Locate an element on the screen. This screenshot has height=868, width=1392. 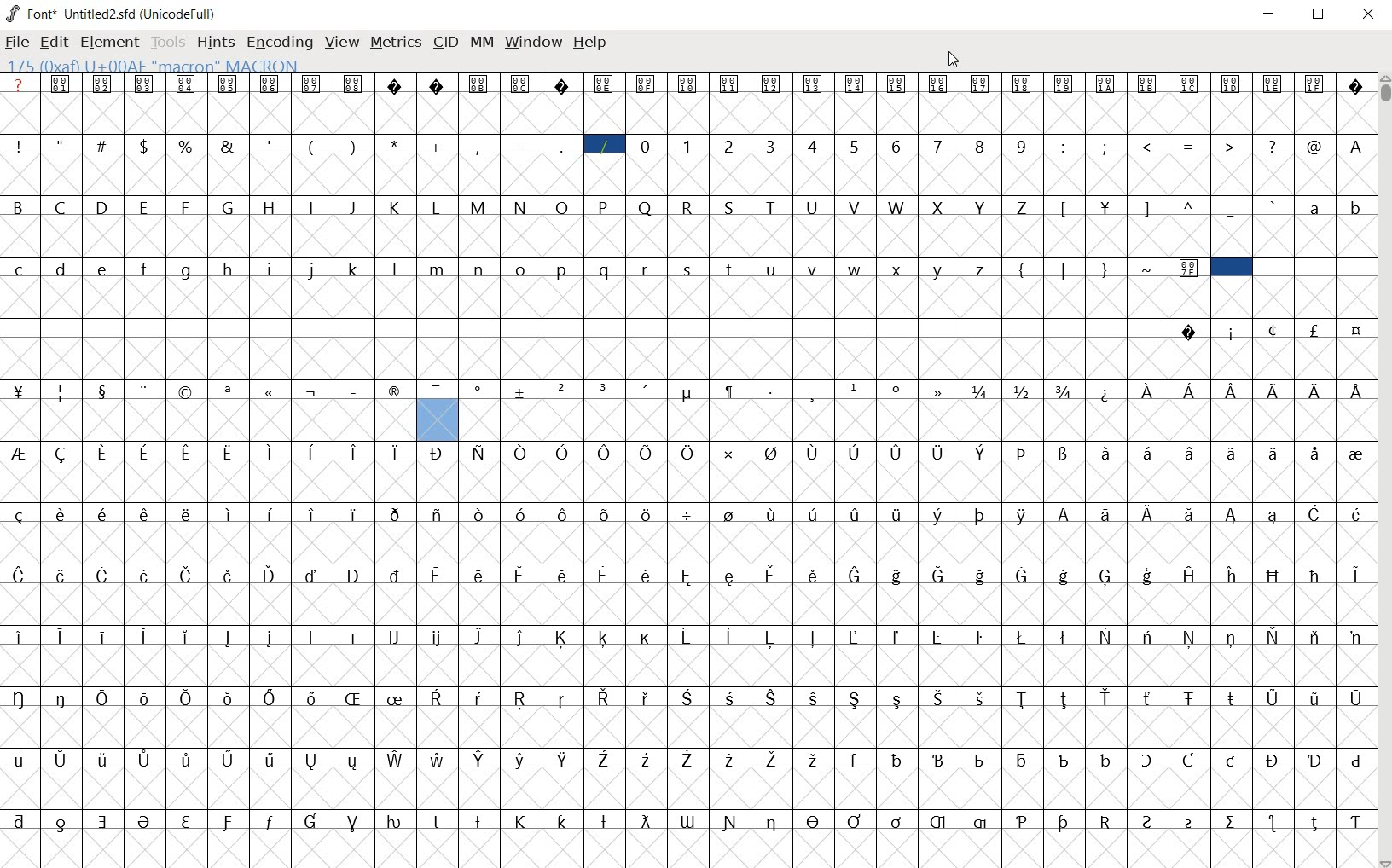
Symbol is located at coordinates (20, 698).